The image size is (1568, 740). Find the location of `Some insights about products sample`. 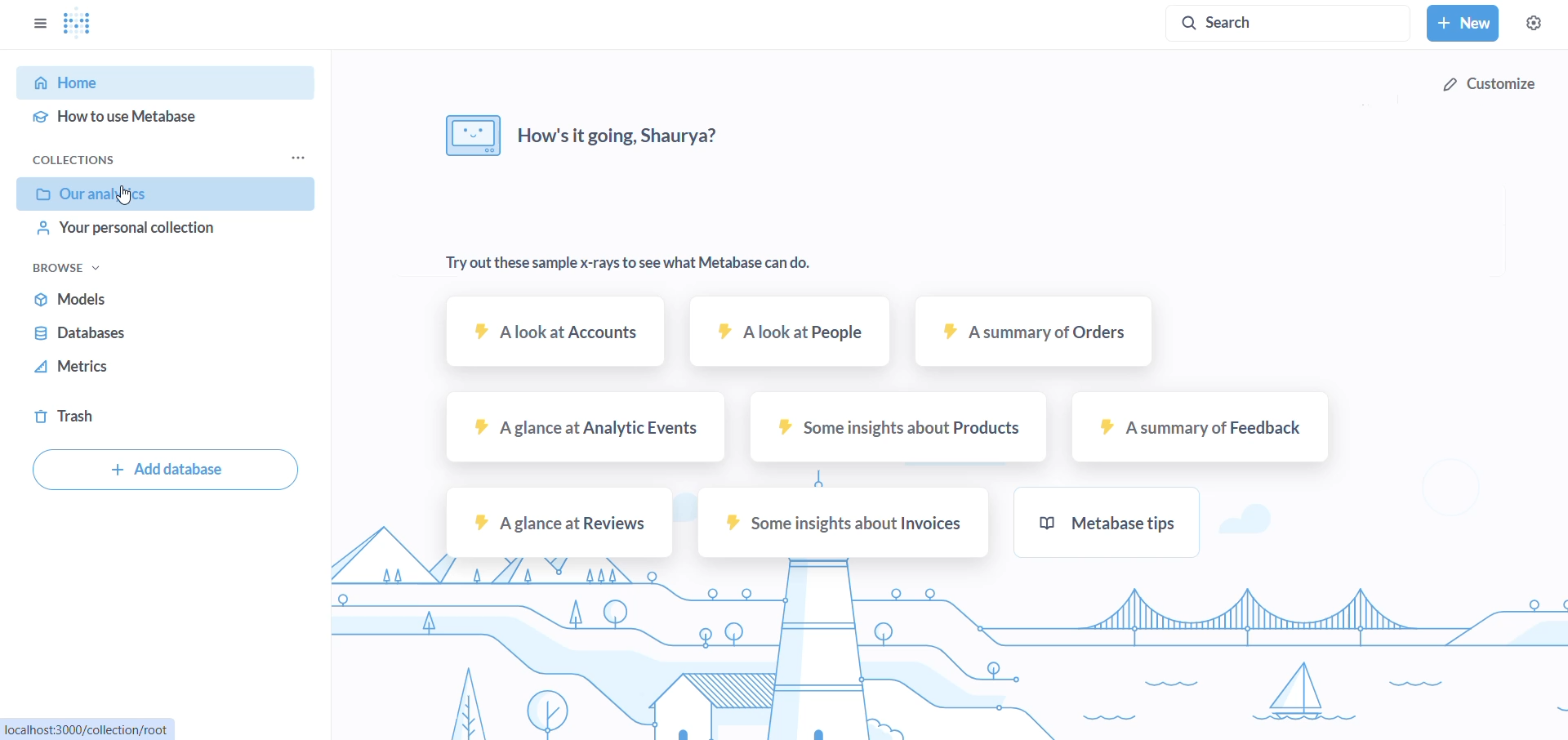

Some insights about products sample is located at coordinates (891, 432).